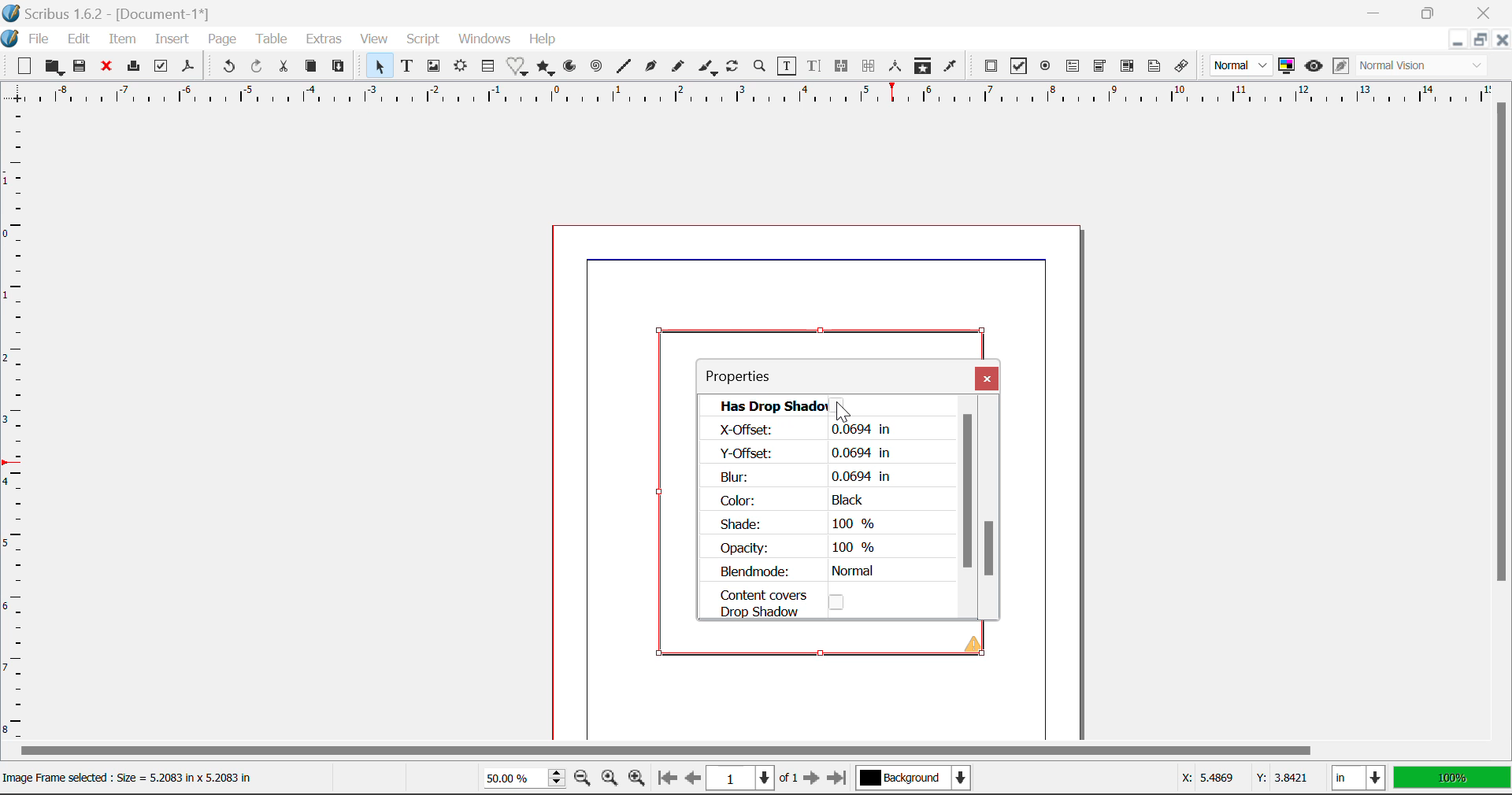 This screenshot has width=1512, height=795. I want to click on Preview, so click(1314, 65).